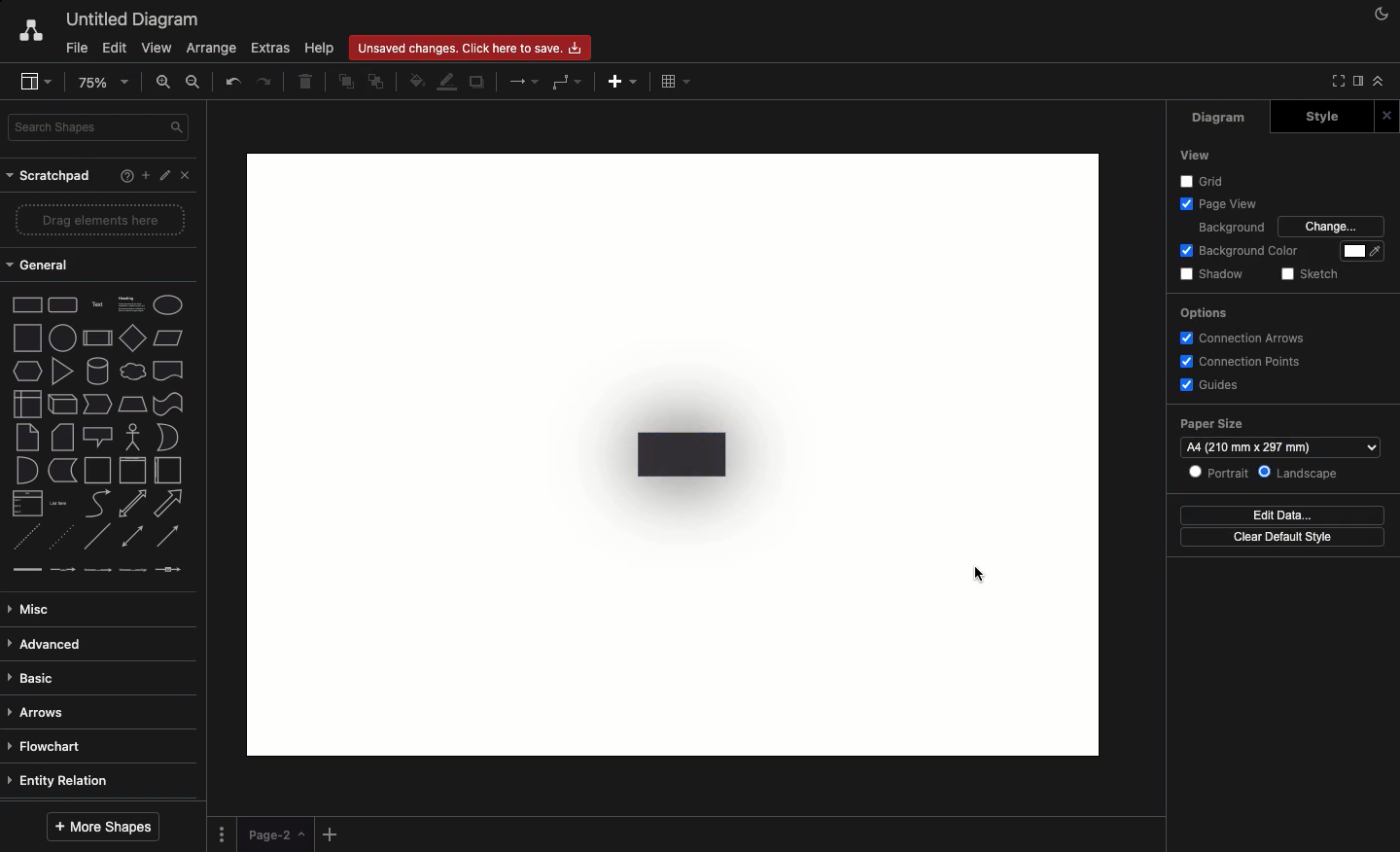 The height and width of the screenshot is (852, 1400). Describe the element at coordinates (61, 538) in the screenshot. I see `dotted line` at that location.